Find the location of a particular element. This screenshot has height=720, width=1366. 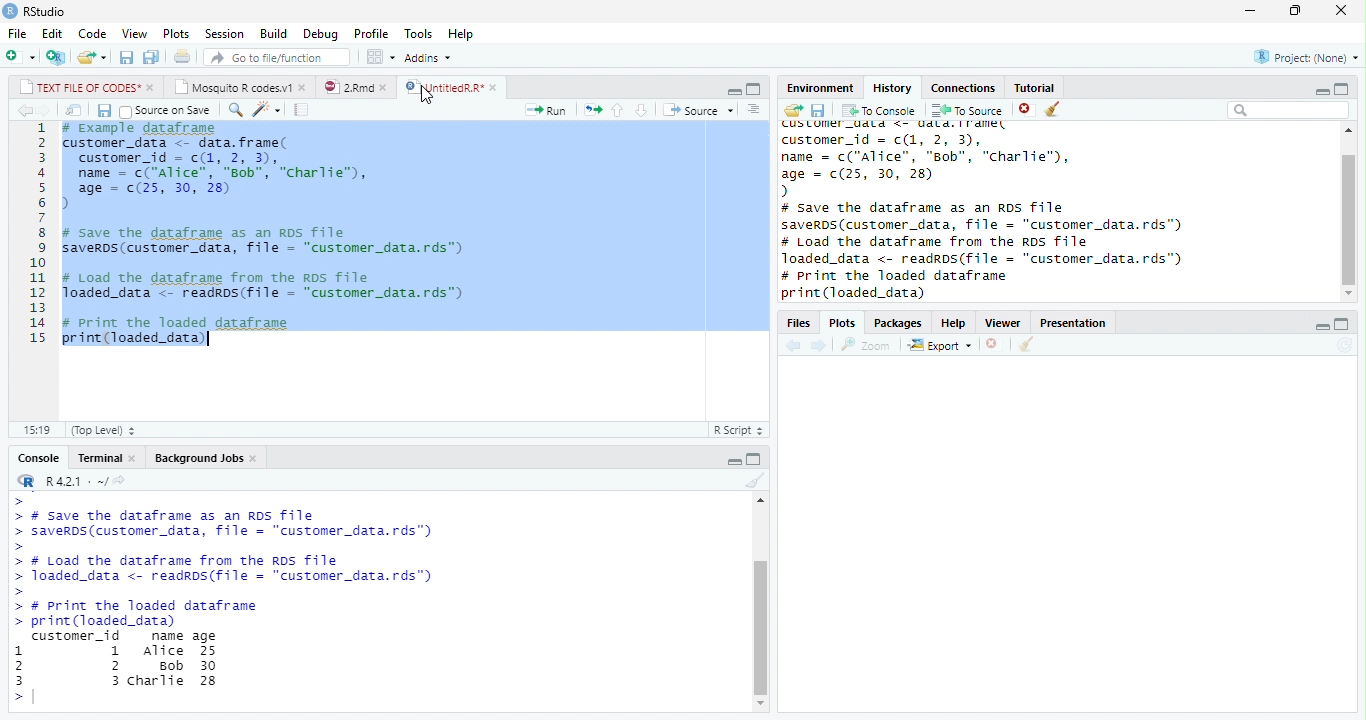

Presentation is located at coordinates (1072, 322).